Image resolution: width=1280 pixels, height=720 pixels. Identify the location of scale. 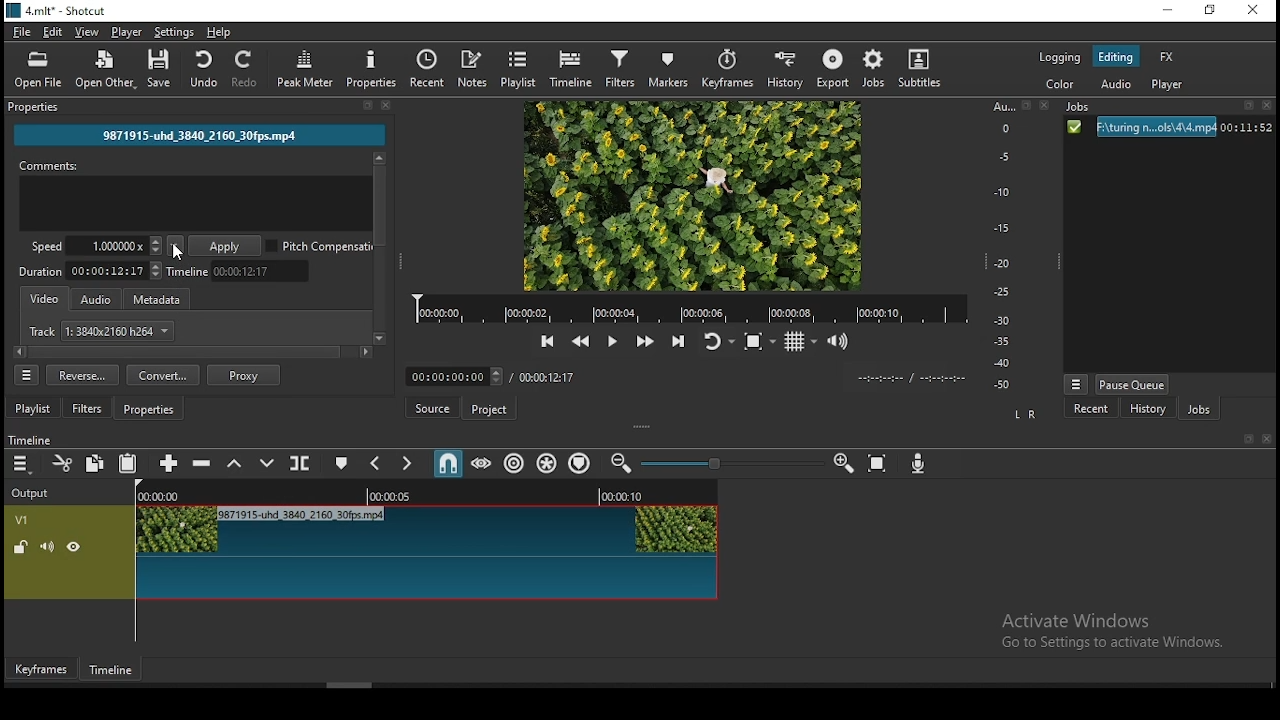
(1006, 247).